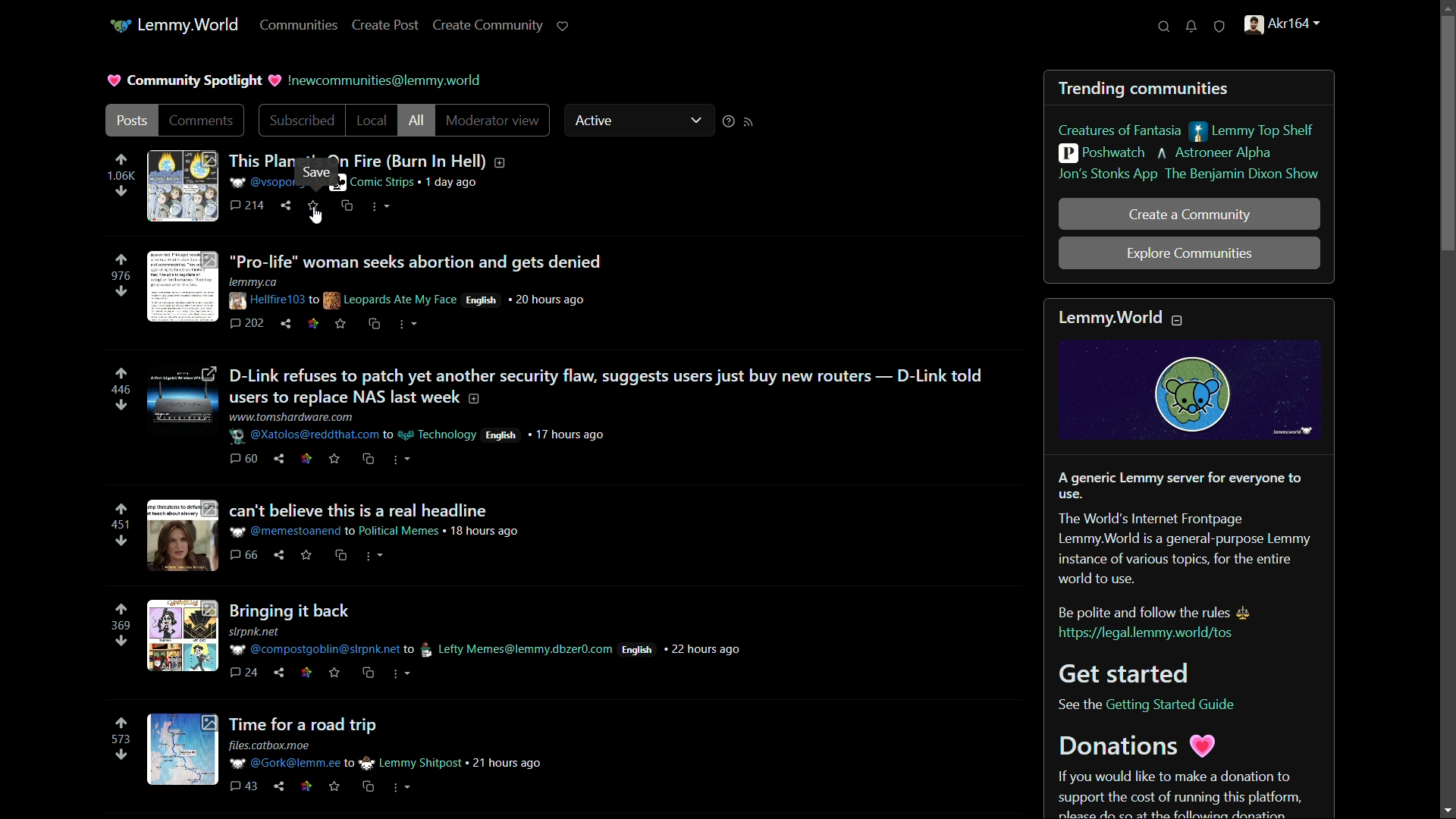  I want to click on number of votes, so click(120, 525).